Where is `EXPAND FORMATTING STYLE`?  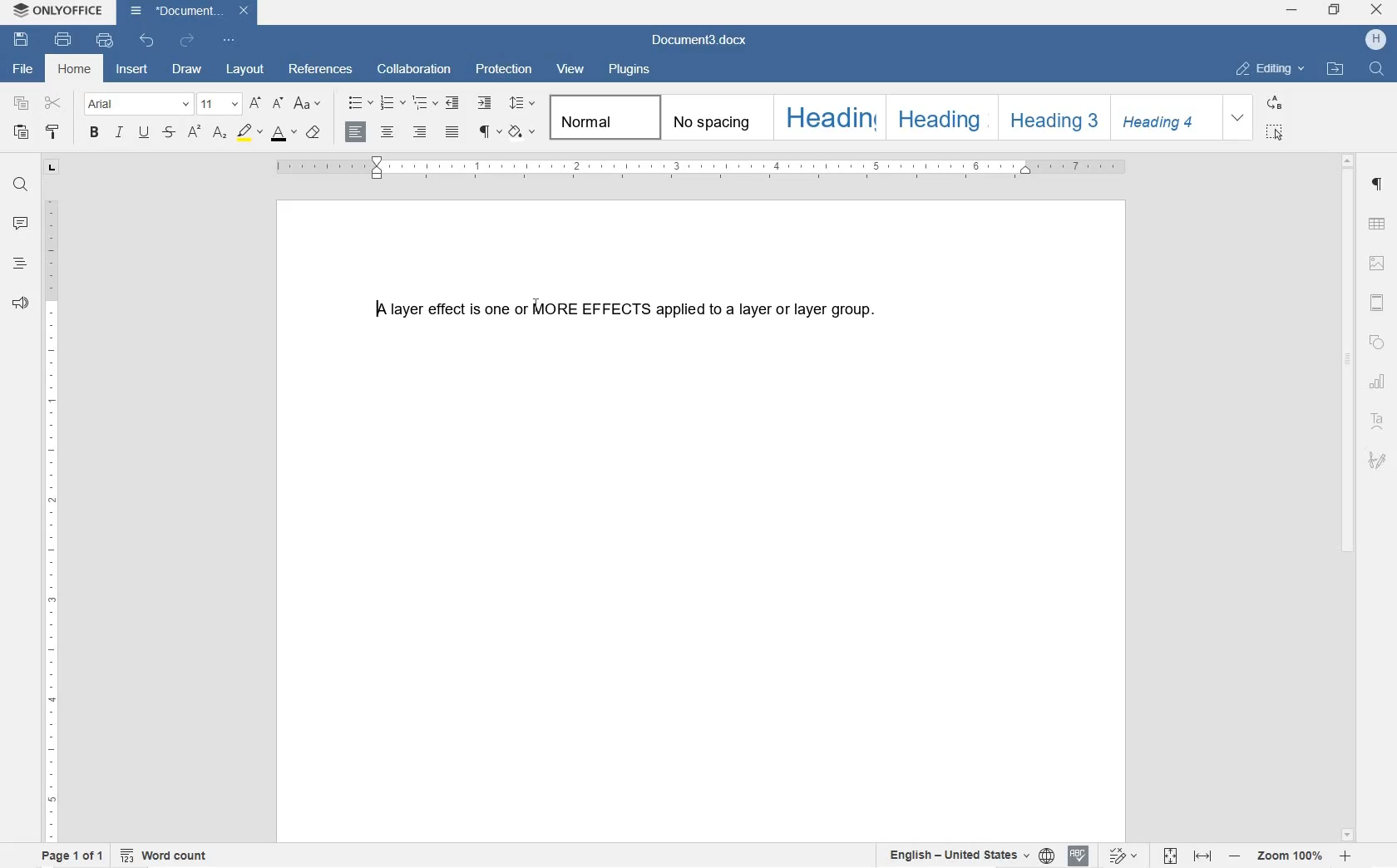 EXPAND FORMATTING STYLE is located at coordinates (1241, 118).